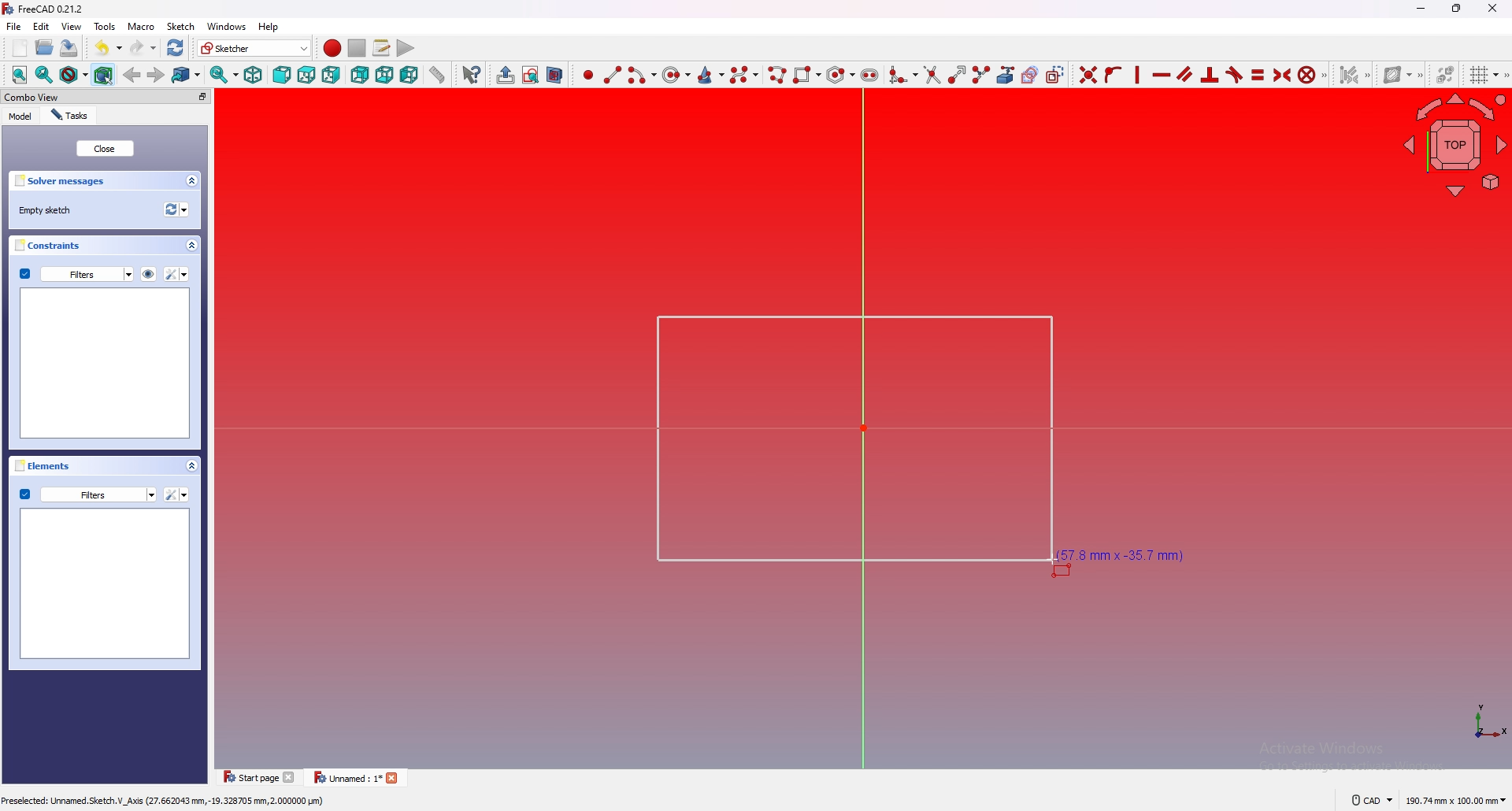  Describe the element at coordinates (331, 75) in the screenshot. I see `right` at that location.